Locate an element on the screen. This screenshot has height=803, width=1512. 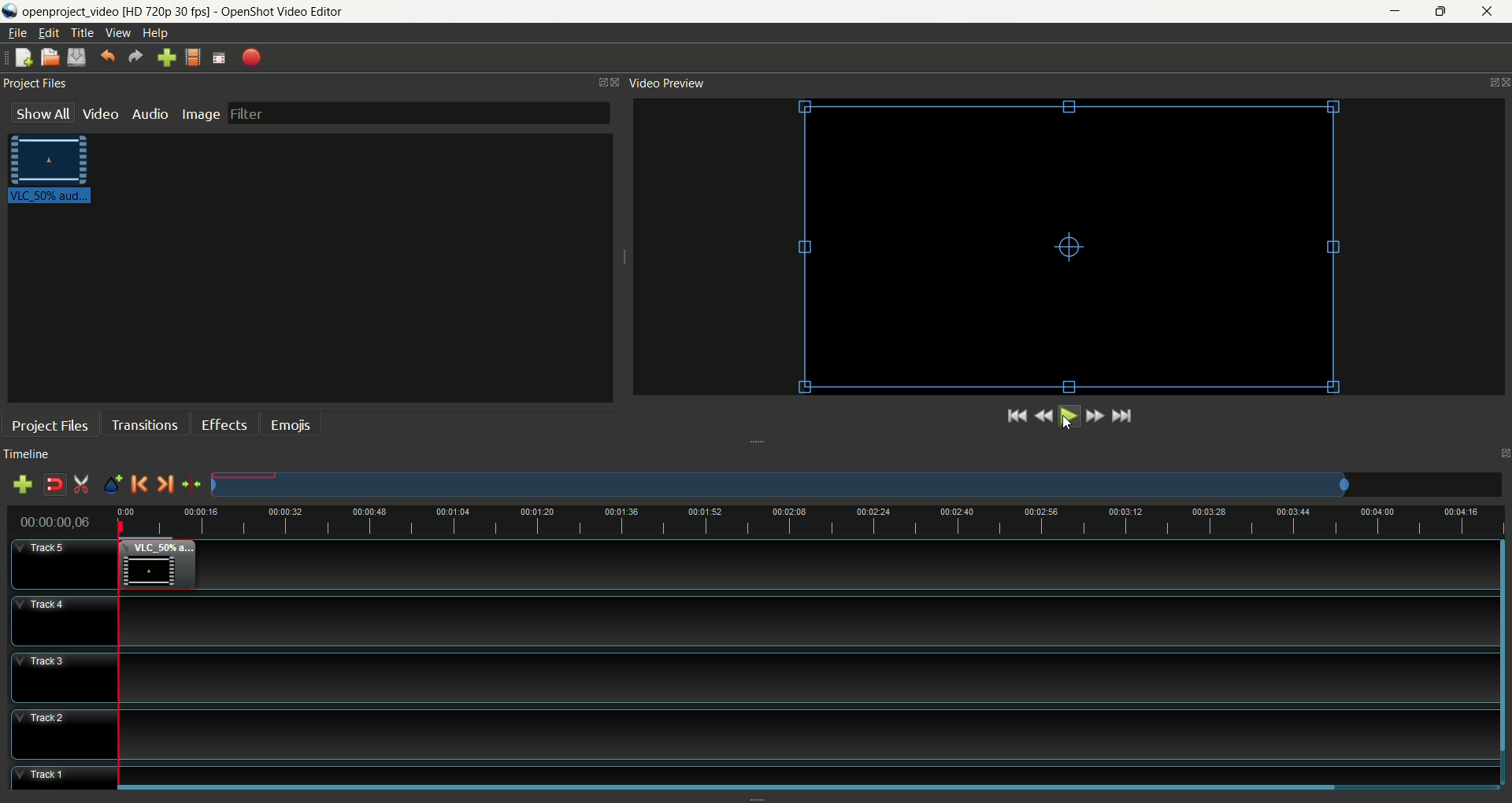
transition is located at coordinates (144, 424).